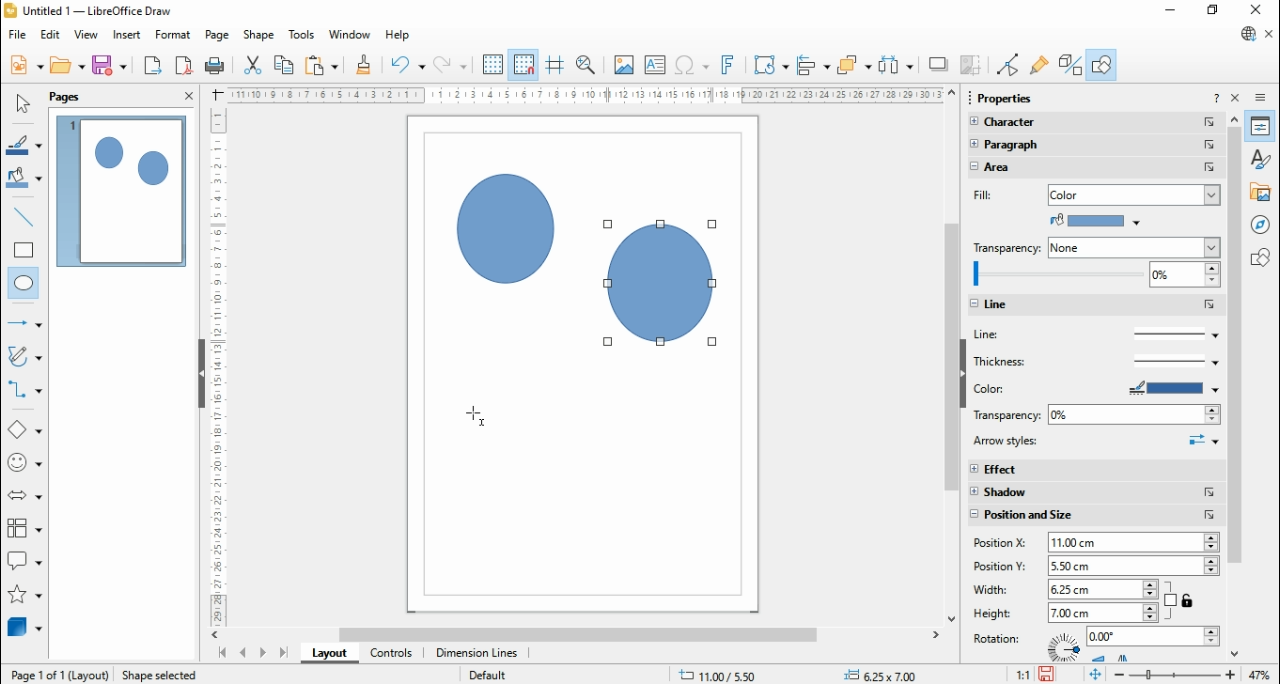 This screenshot has height=684, width=1280. I want to click on 11, so click(1024, 674).